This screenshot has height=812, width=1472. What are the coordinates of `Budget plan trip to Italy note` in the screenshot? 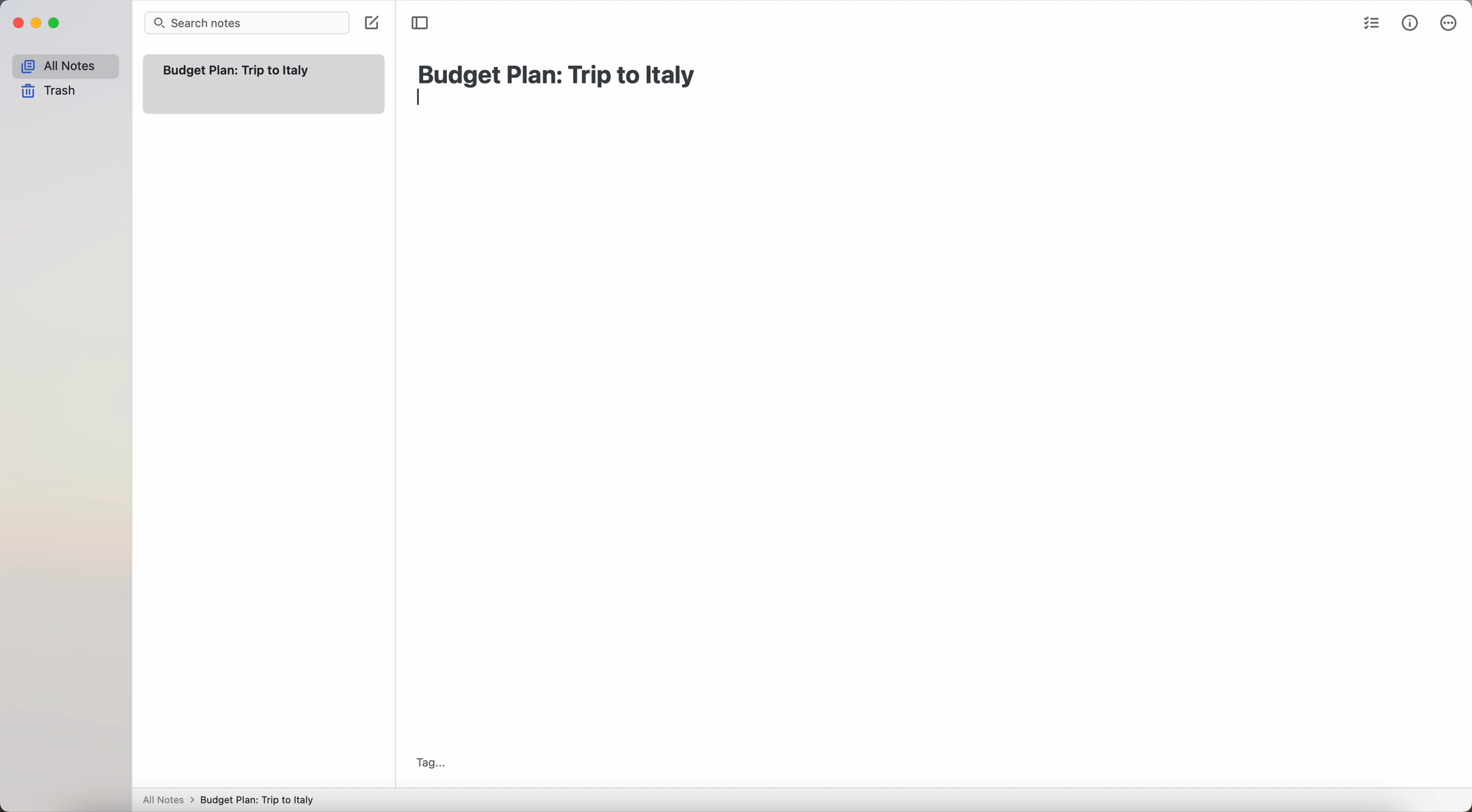 It's located at (238, 70).